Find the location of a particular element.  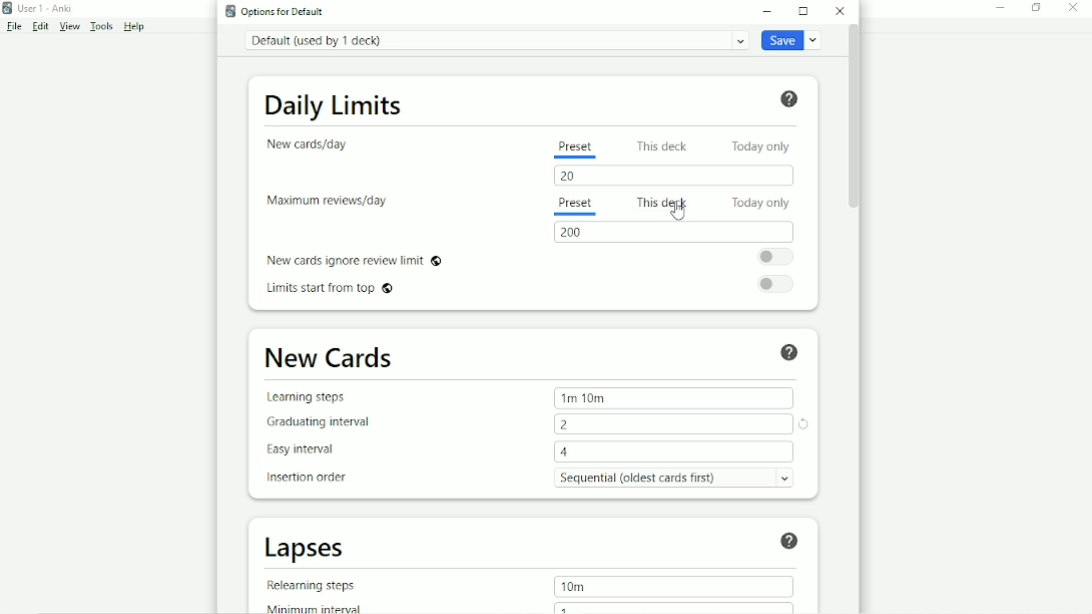

View is located at coordinates (69, 26).